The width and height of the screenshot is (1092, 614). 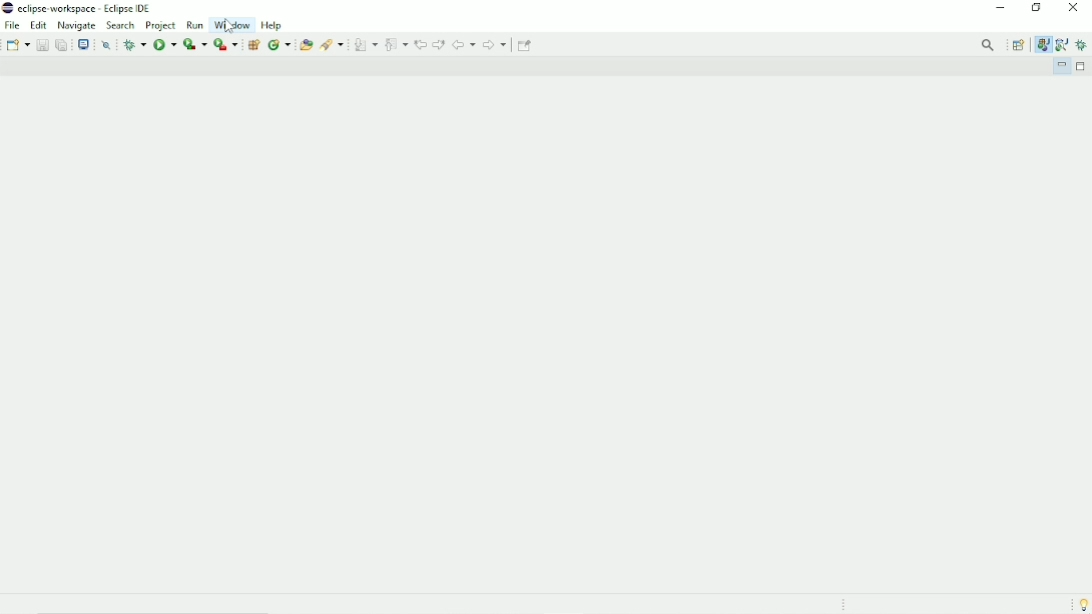 What do you see at coordinates (438, 44) in the screenshot?
I see `Next edit location` at bounding box center [438, 44].